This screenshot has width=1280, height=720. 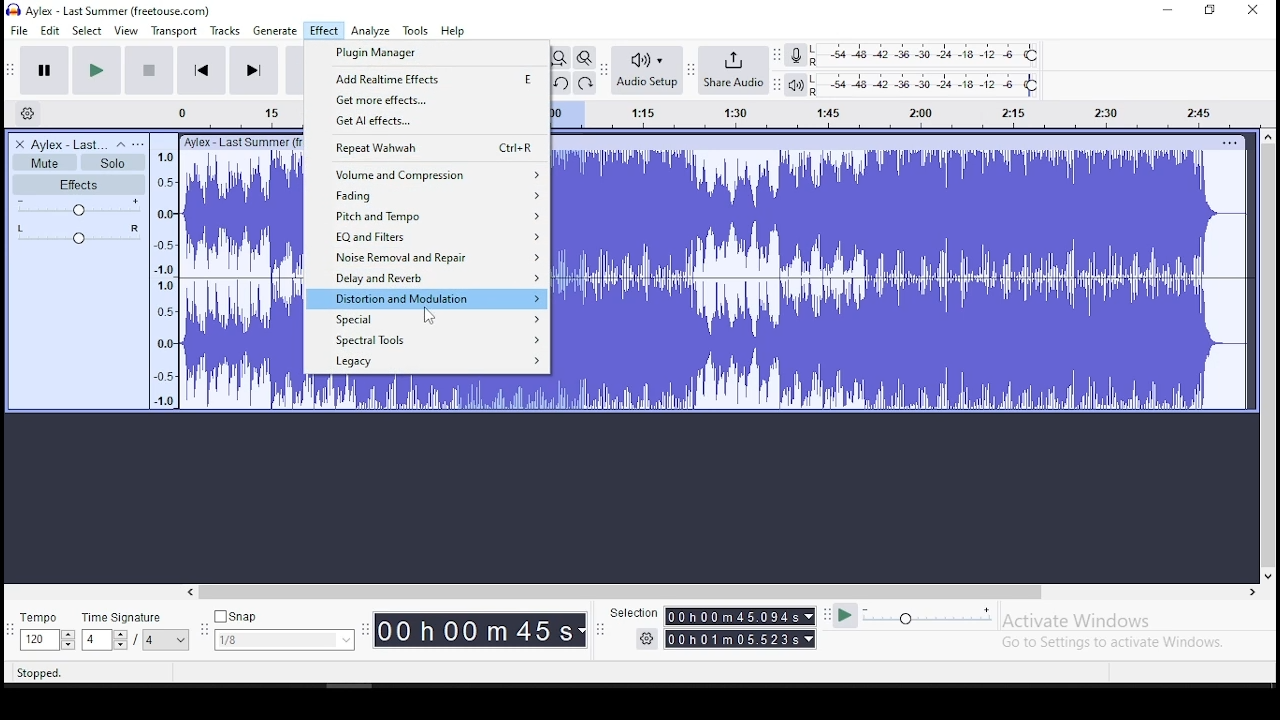 What do you see at coordinates (173, 30) in the screenshot?
I see `transport` at bounding box center [173, 30].